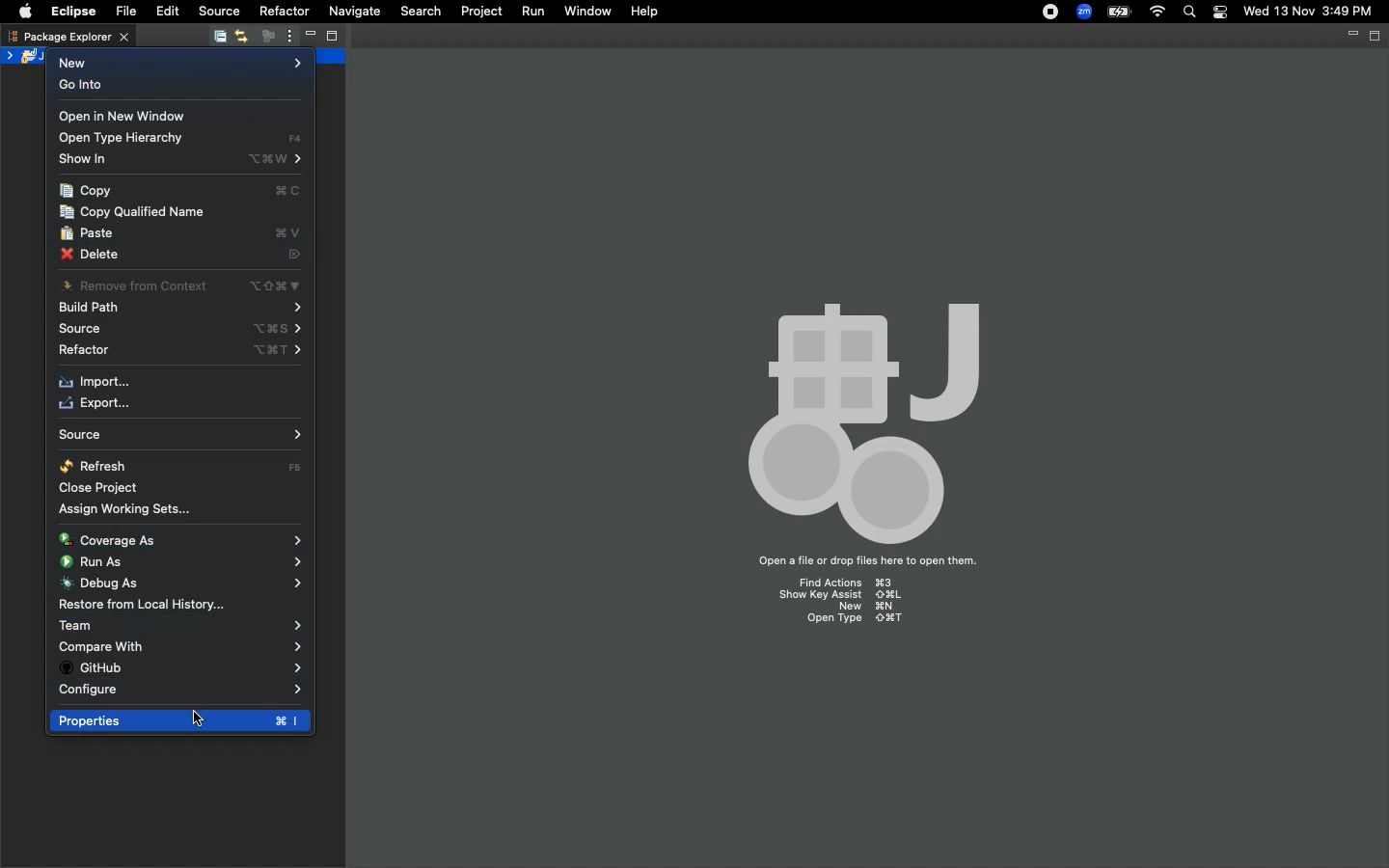 The width and height of the screenshot is (1389, 868). I want to click on Minimize, so click(1350, 38).